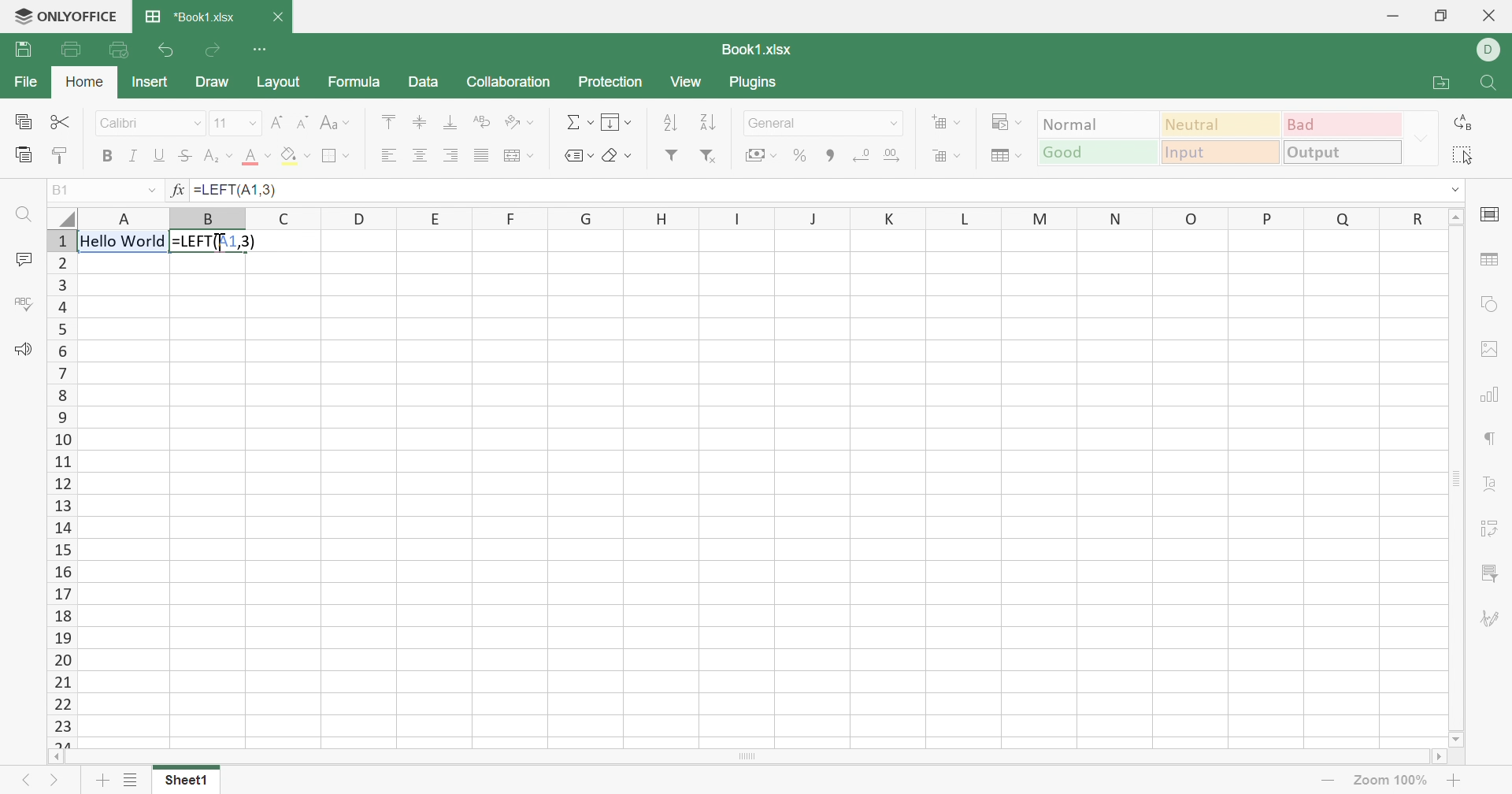 Image resolution: width=1512 pixels, height=794 pixels. What do you see at coordinates (1392, 780) in the screenshot?
I see `Zoom 100%` at bounding box center [1392, 780].